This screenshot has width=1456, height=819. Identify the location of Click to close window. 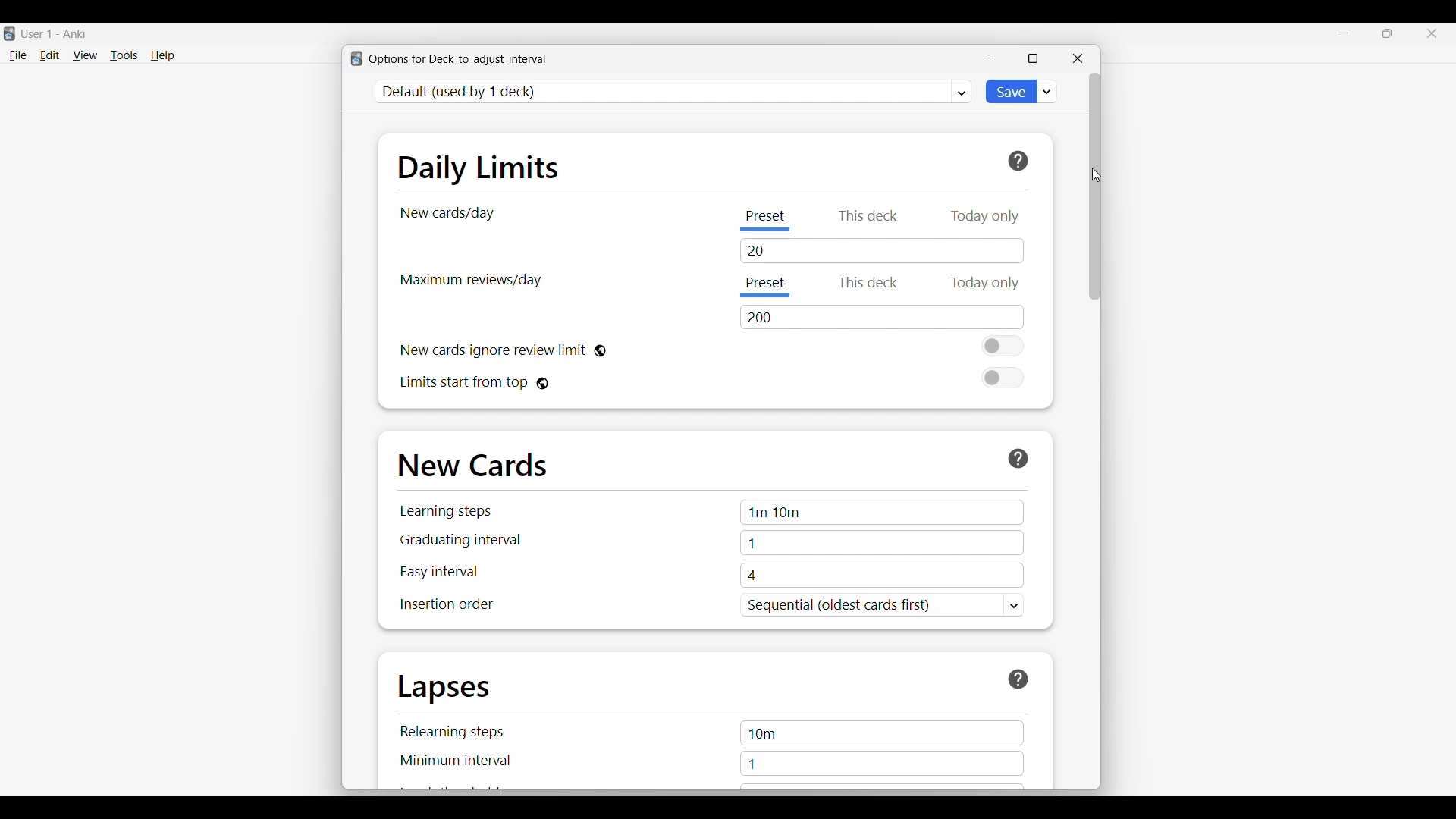
(1078, 58).